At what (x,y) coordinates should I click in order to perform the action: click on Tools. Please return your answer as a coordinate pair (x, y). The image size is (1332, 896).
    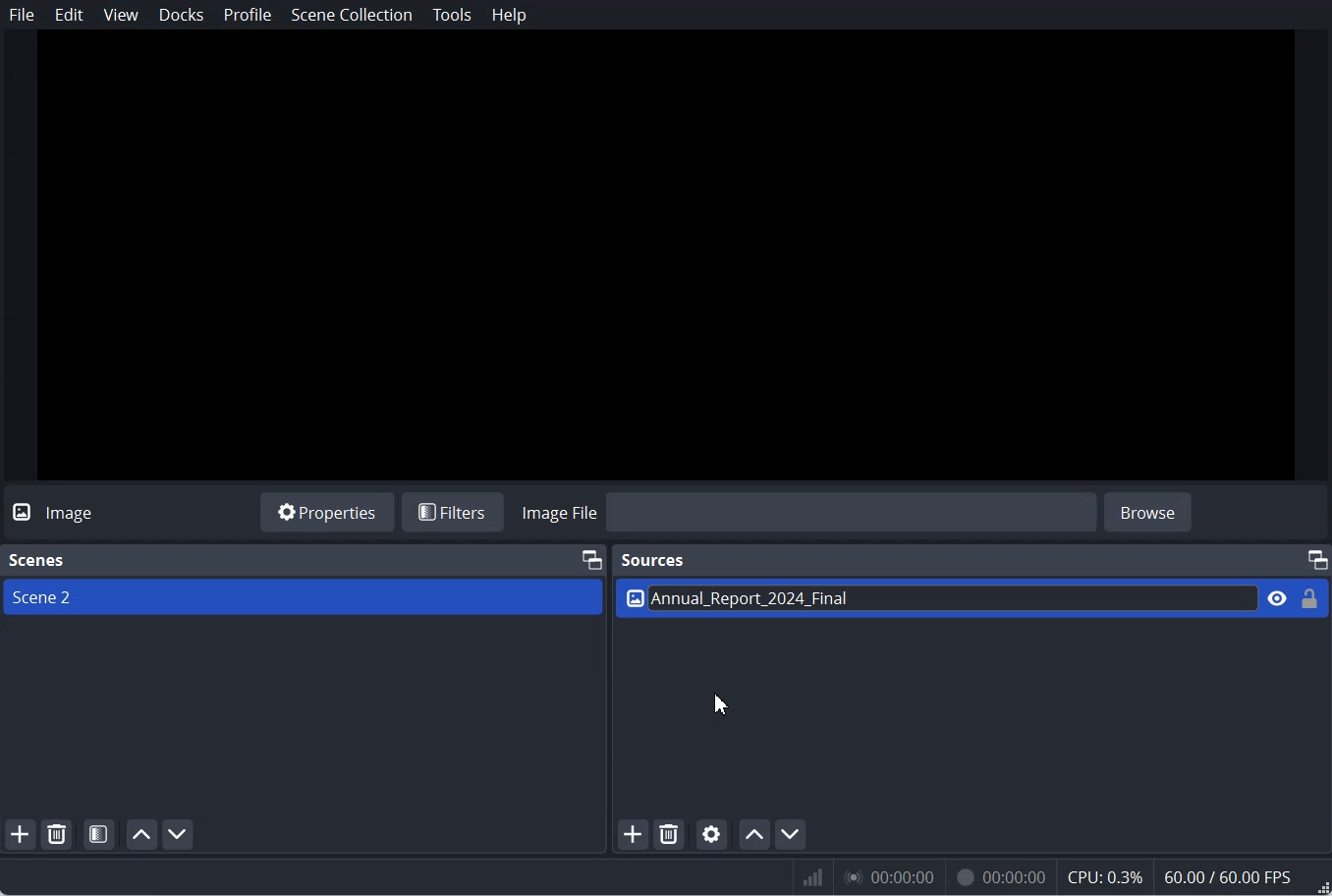
    Looking at the image, I should click on (453, 16).